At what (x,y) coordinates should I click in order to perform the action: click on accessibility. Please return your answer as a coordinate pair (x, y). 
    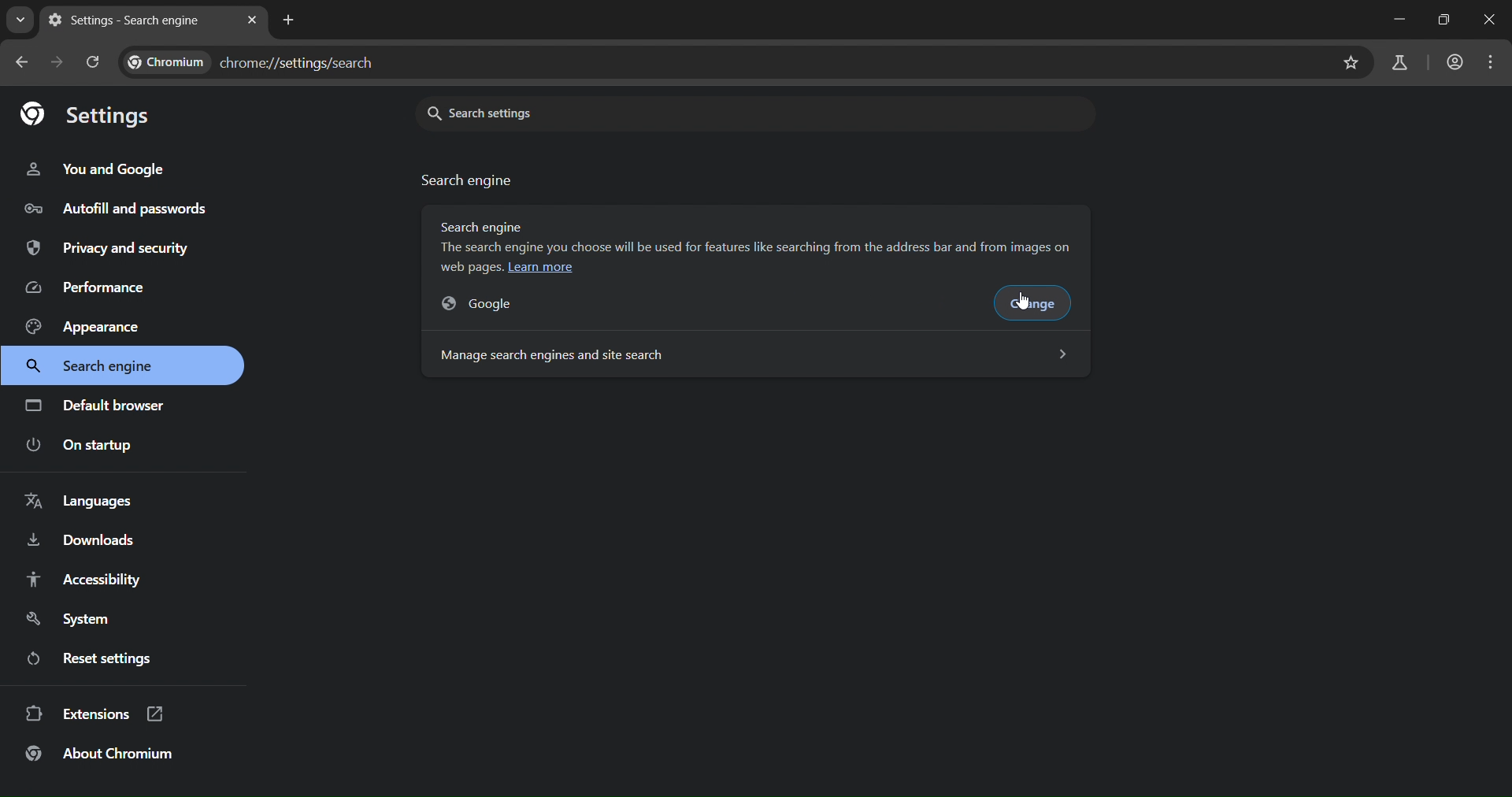
    Looking at the image, I should click on (96, 579).